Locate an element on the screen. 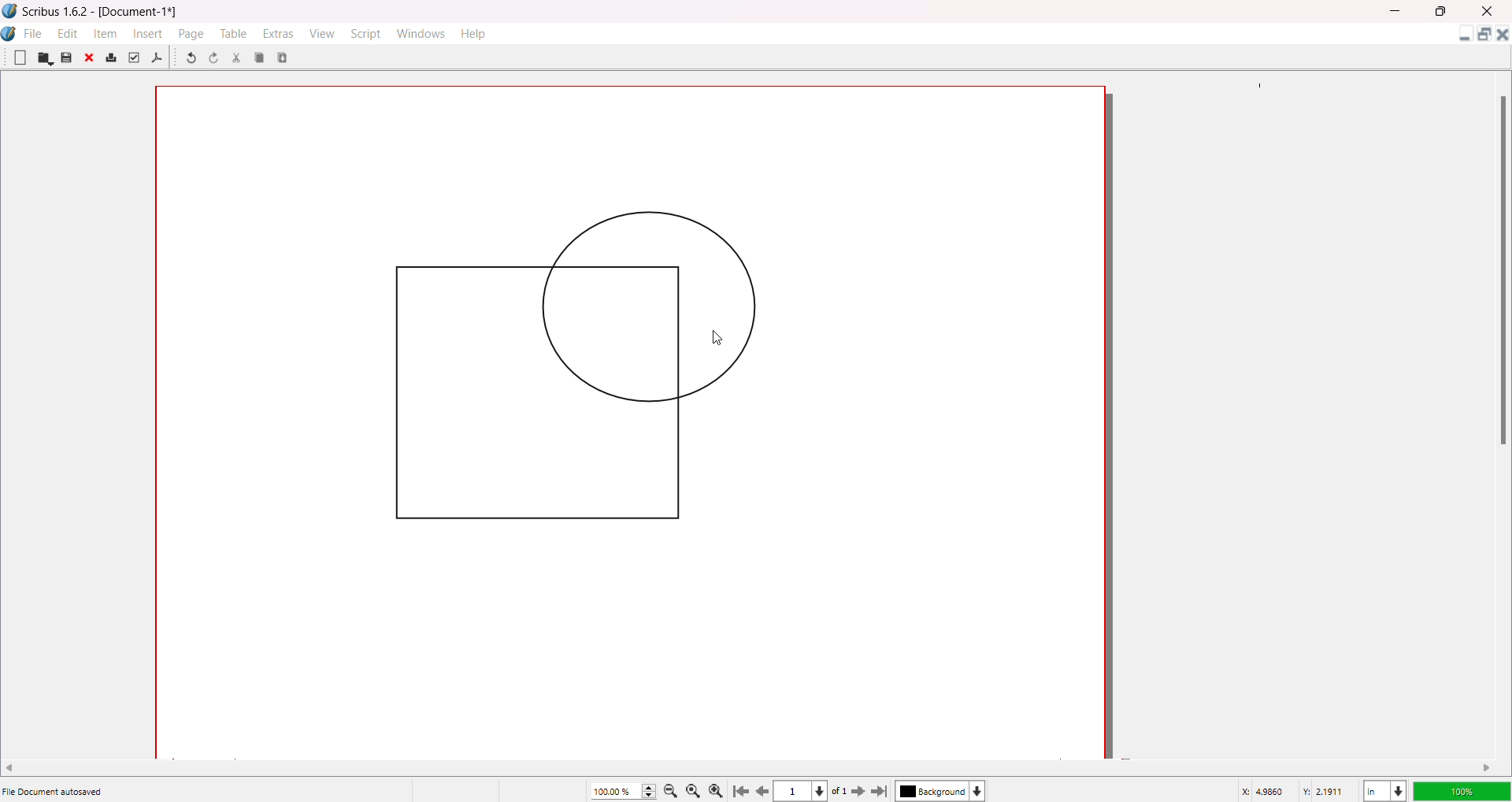 This screenshot has width=1512, height=802. Save information is located at coordinates (55, 791).